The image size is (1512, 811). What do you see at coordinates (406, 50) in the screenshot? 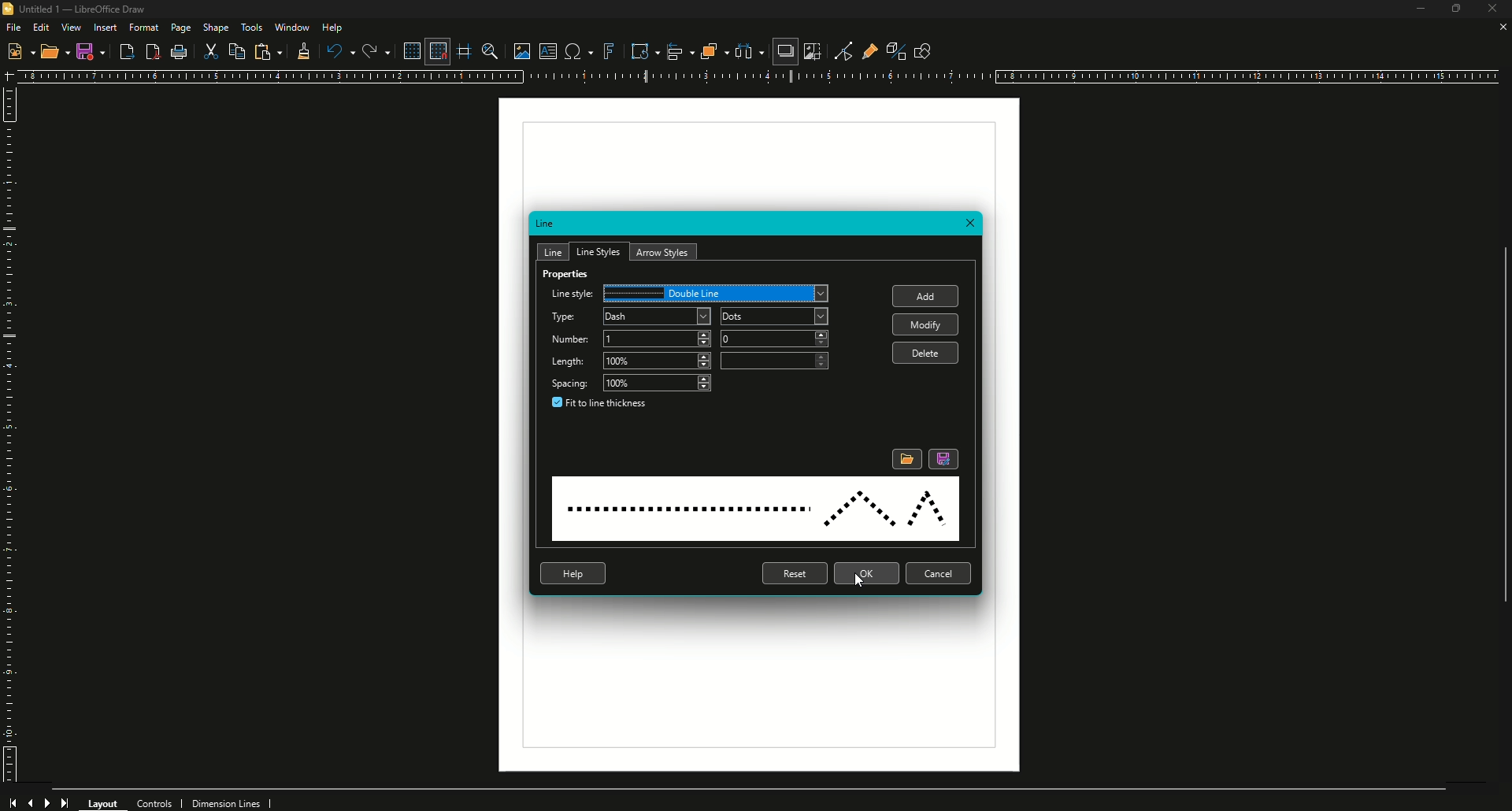
I see `Display Grid` at bounding box center [406, 50].